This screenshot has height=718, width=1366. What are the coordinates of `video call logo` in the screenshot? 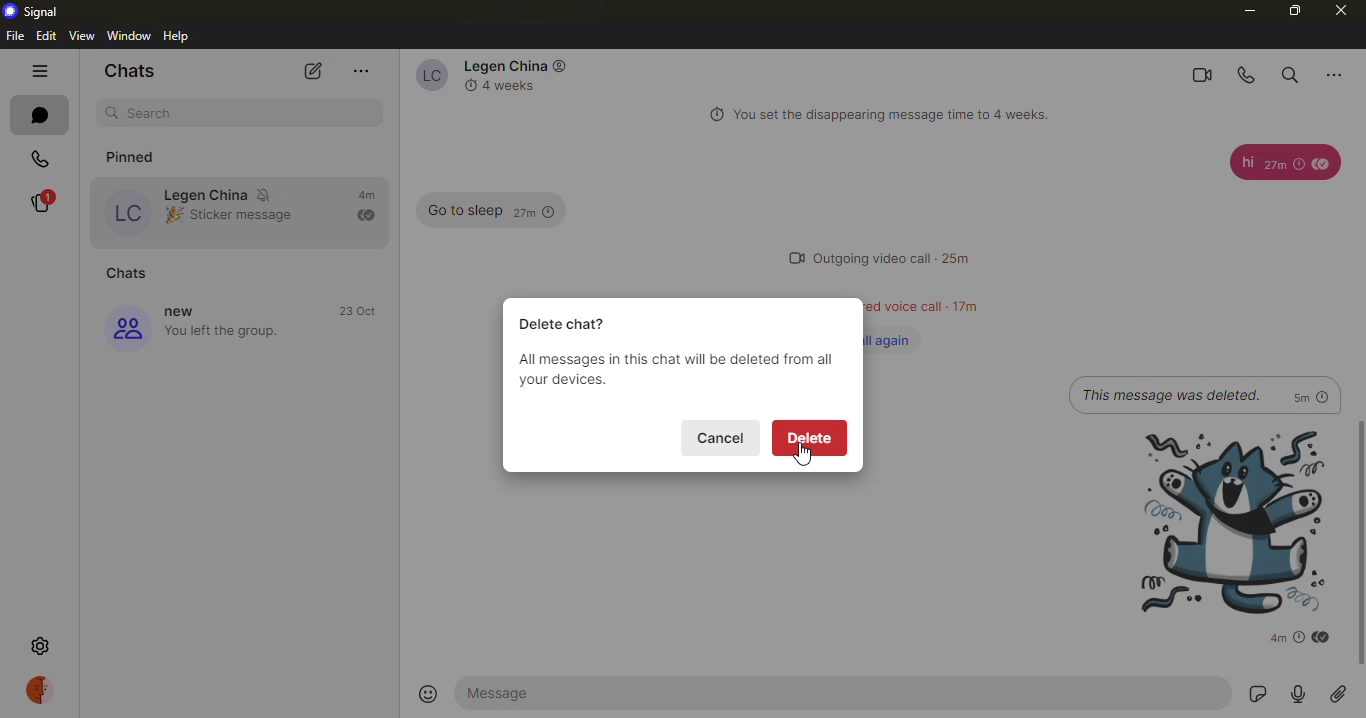 It's located at (786, 257).